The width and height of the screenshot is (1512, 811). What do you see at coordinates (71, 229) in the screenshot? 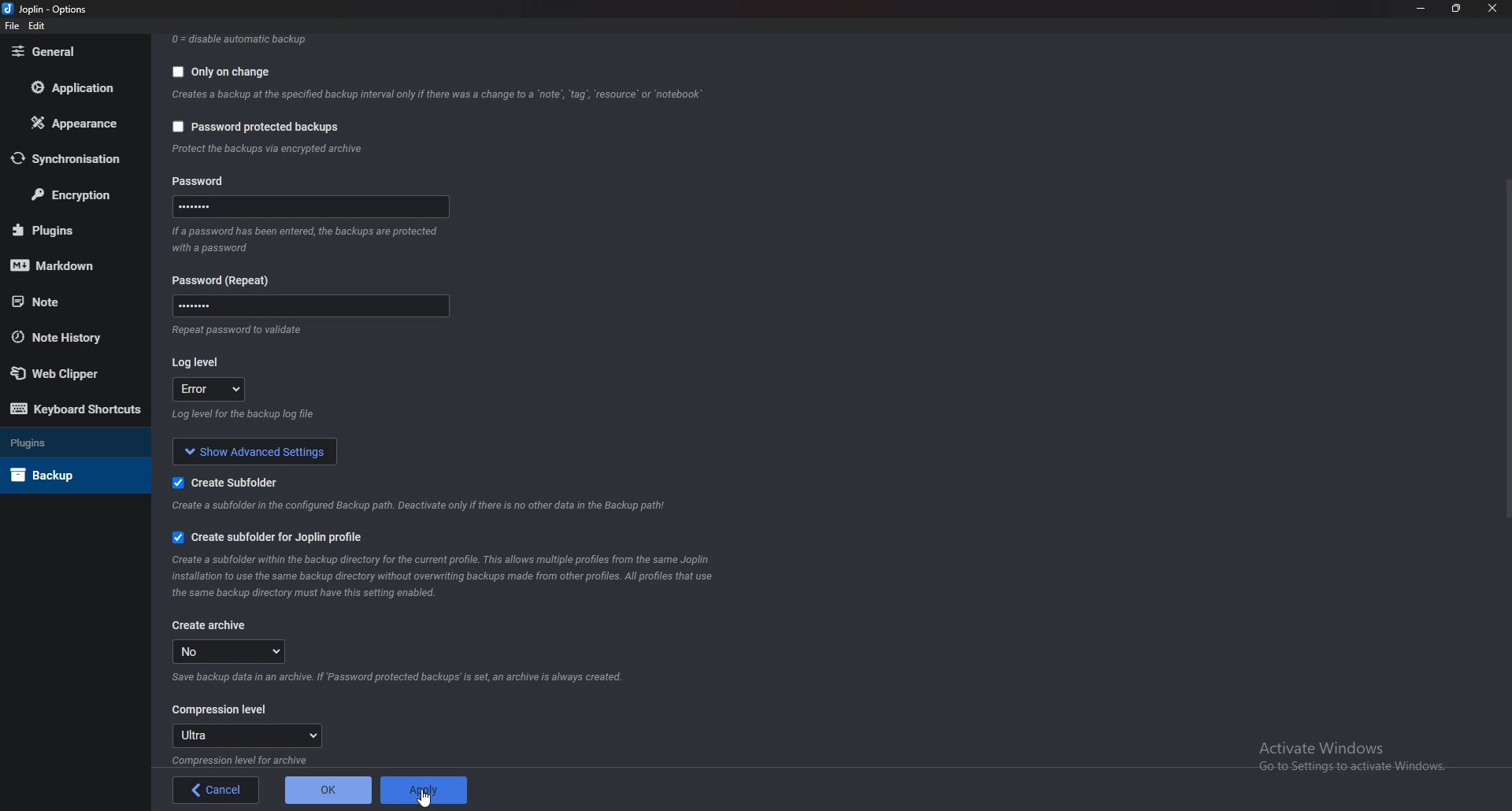
I see `Plugins` at bounding box center [71, 229].